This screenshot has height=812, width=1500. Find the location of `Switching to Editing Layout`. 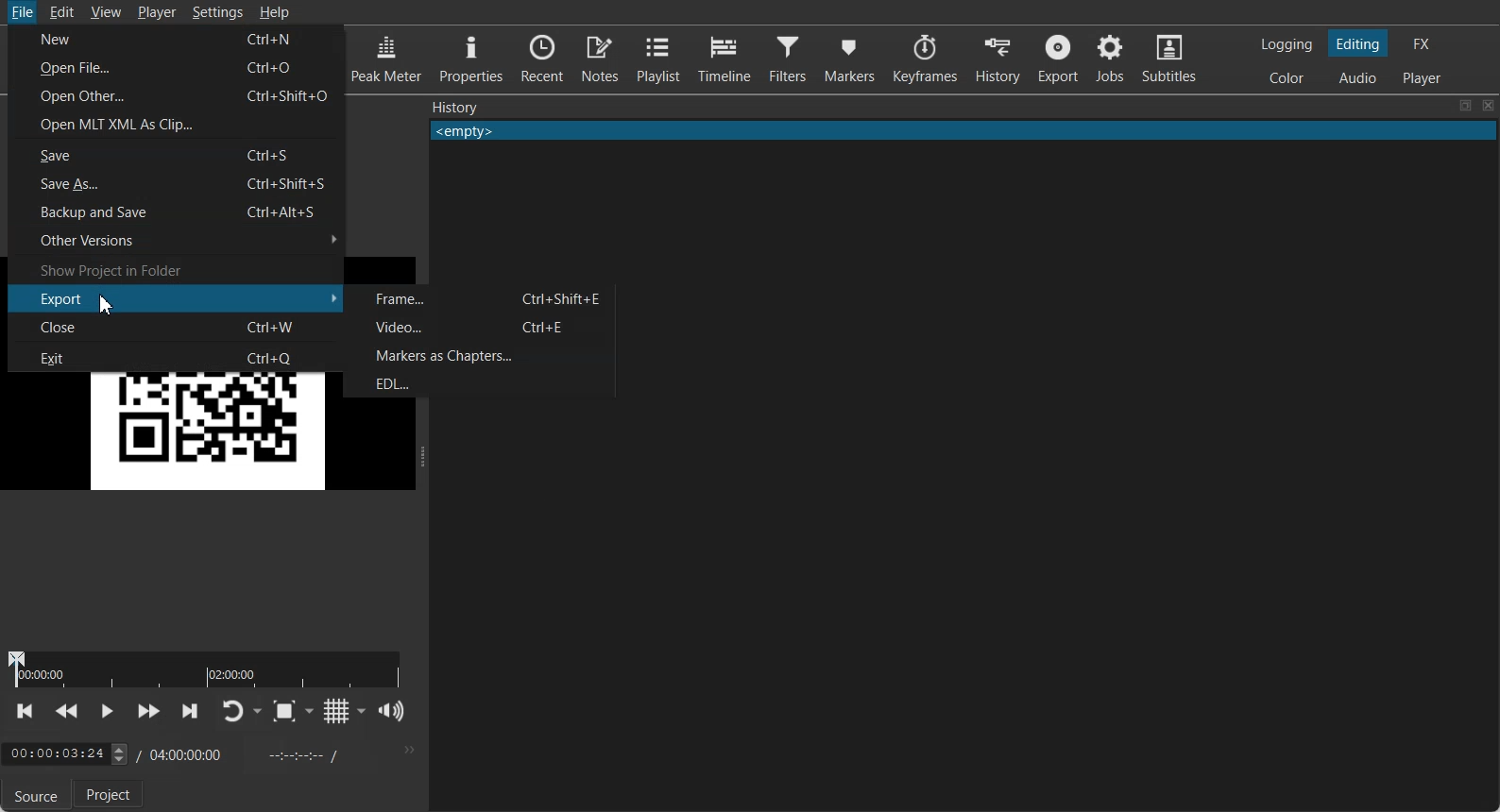

Switching to Editing Layout is located at coordinates (1356, 43).